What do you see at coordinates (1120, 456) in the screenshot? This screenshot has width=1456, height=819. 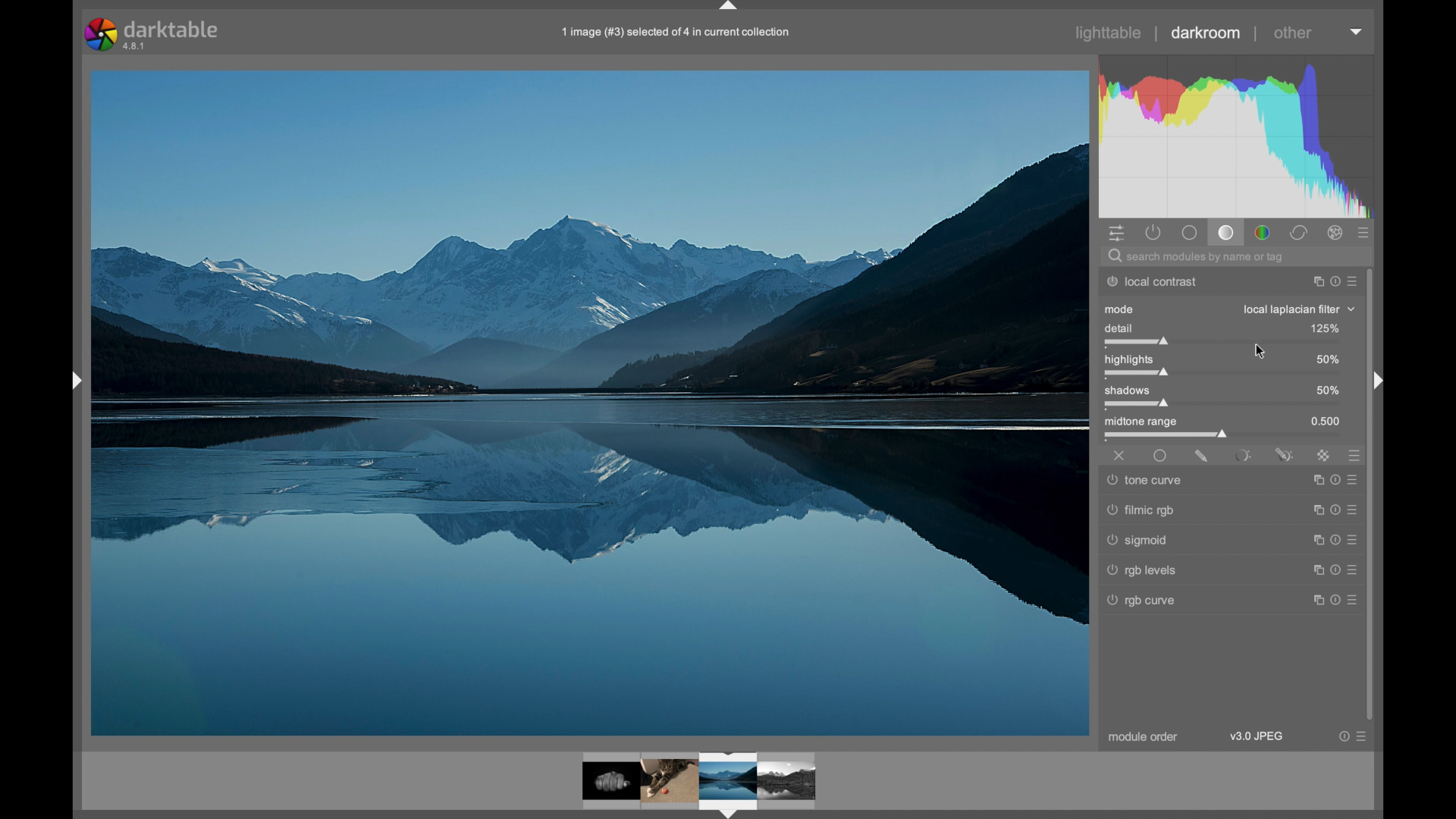 I see `off` at bounding box center [1120, 456].